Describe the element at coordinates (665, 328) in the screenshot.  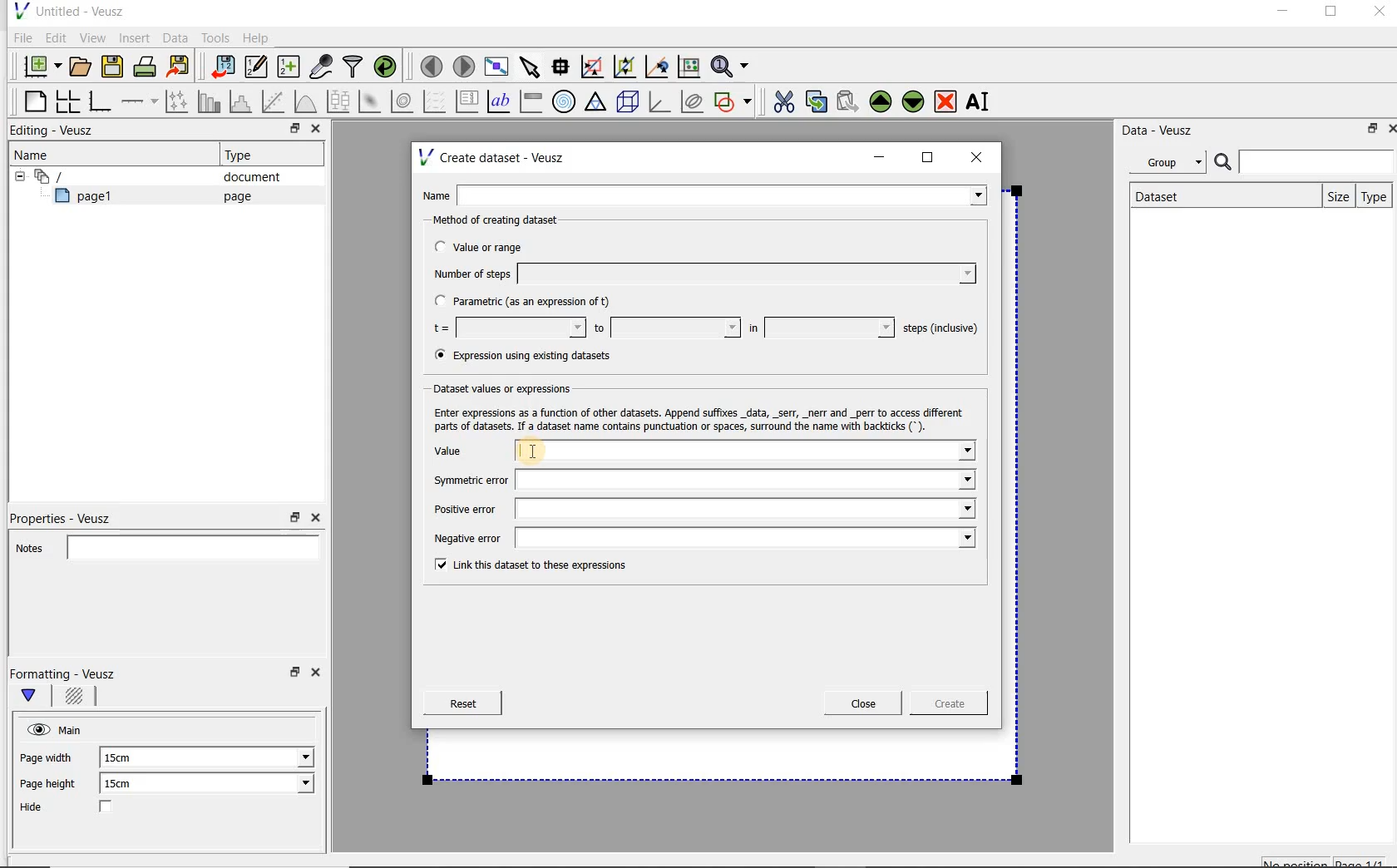
I see `to` at that location.